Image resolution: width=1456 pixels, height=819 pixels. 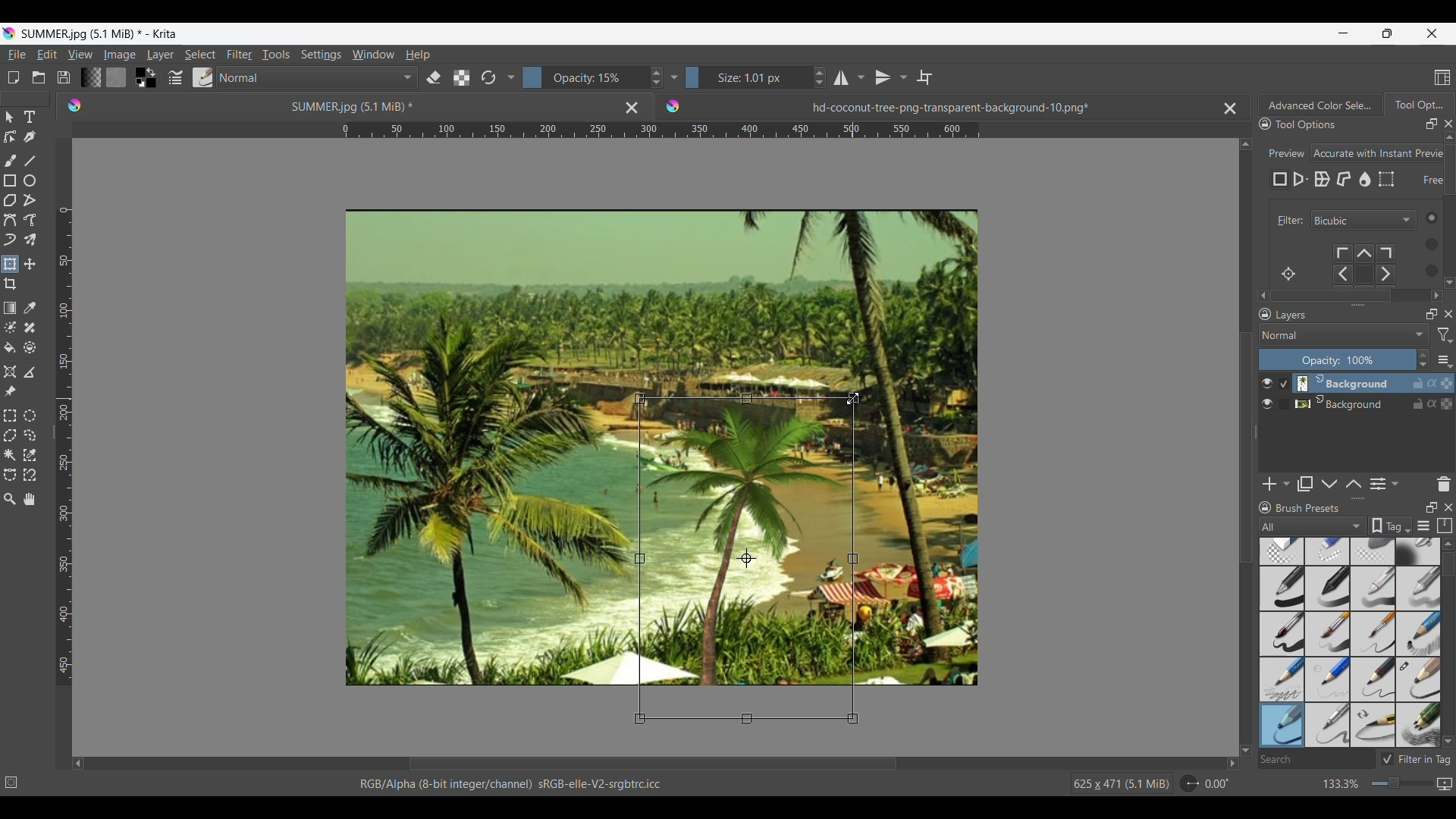 I want to click on Layers, so click(x=1347, y=315).